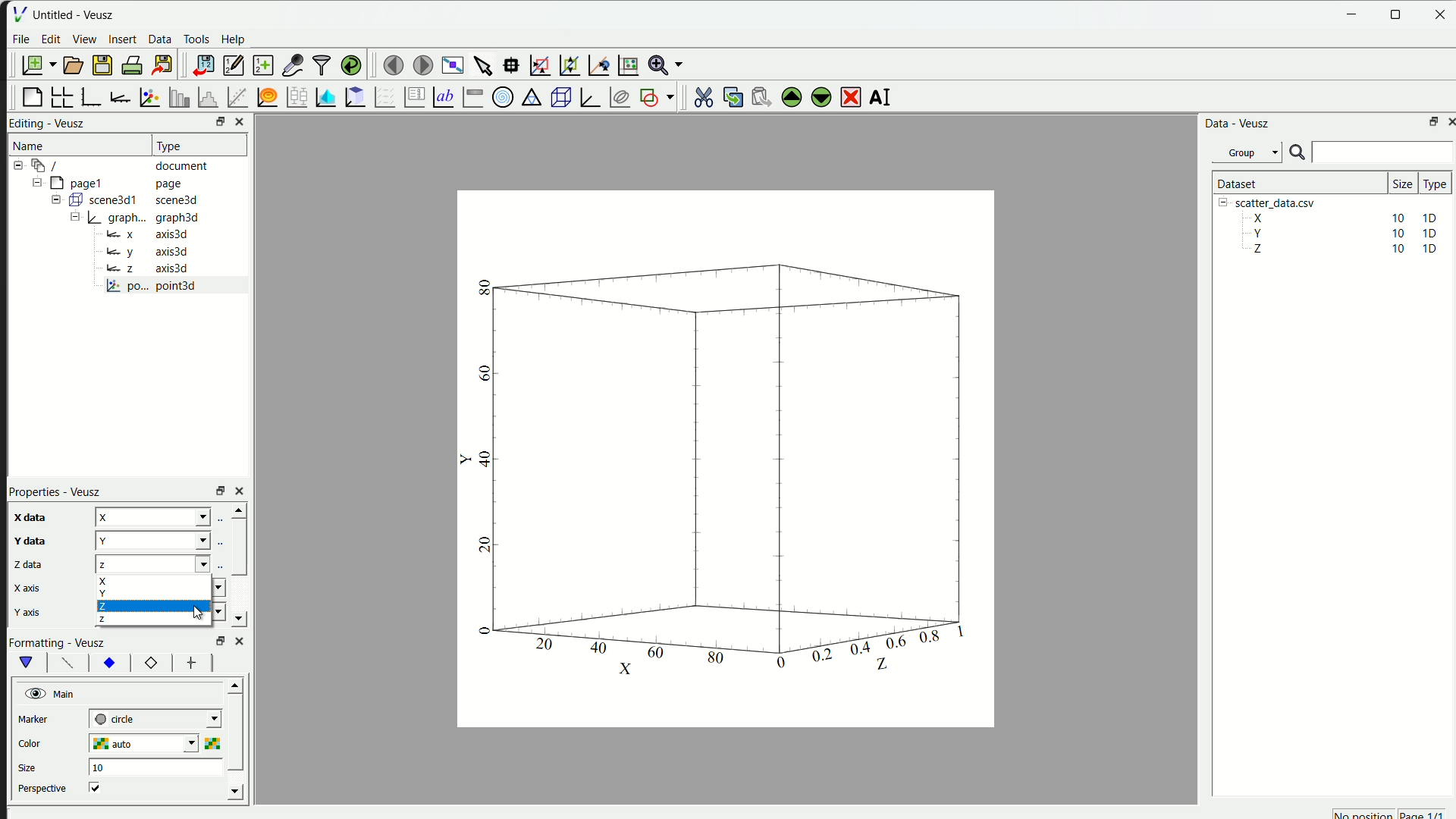 This screenshot has height=819, width=1456. What do you see at coordinates (26, 563) in the screenshot?
I see `z data` at bounding box center [26, 563].